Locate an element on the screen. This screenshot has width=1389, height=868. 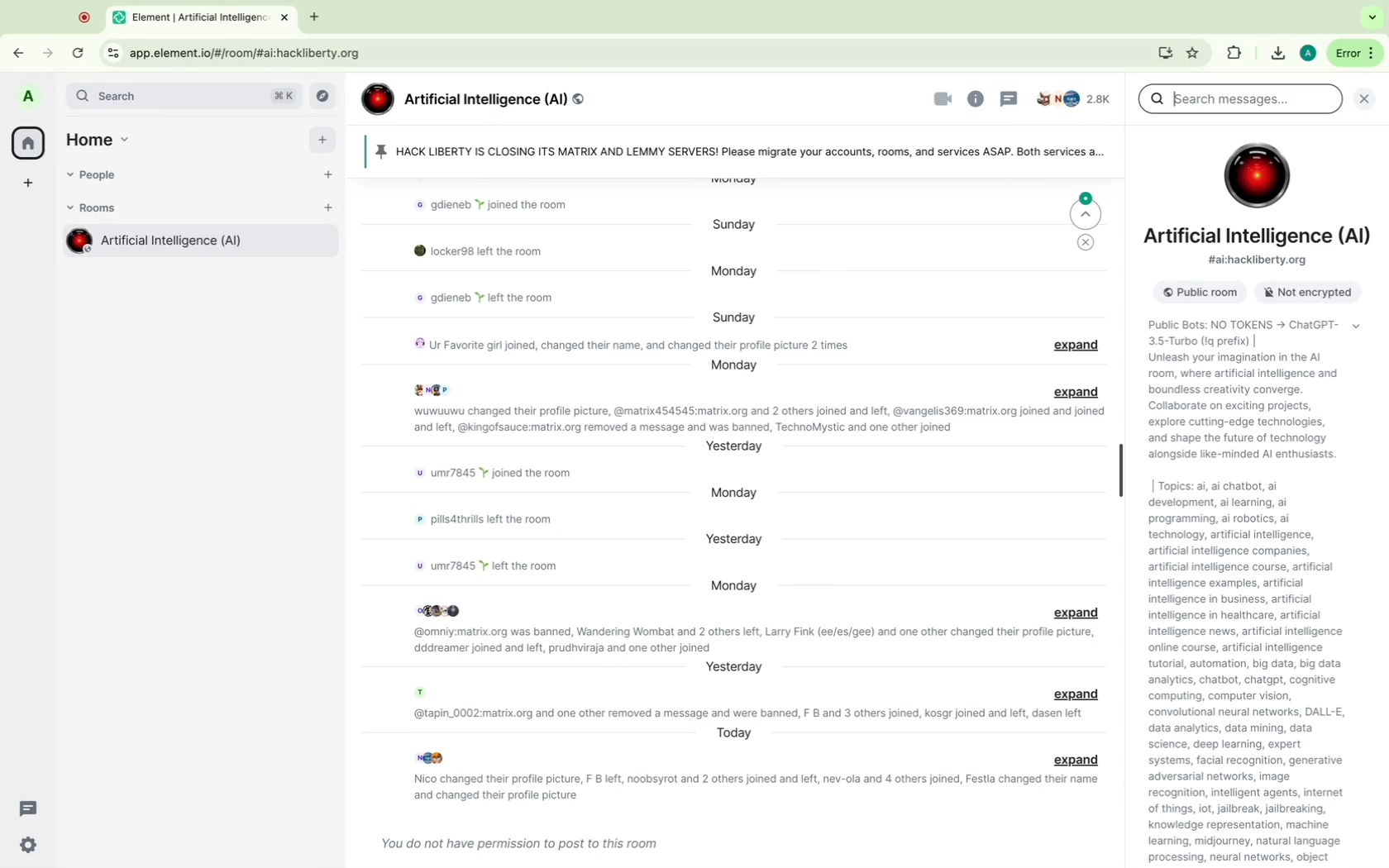
name is located at coordinates (1260, 237).